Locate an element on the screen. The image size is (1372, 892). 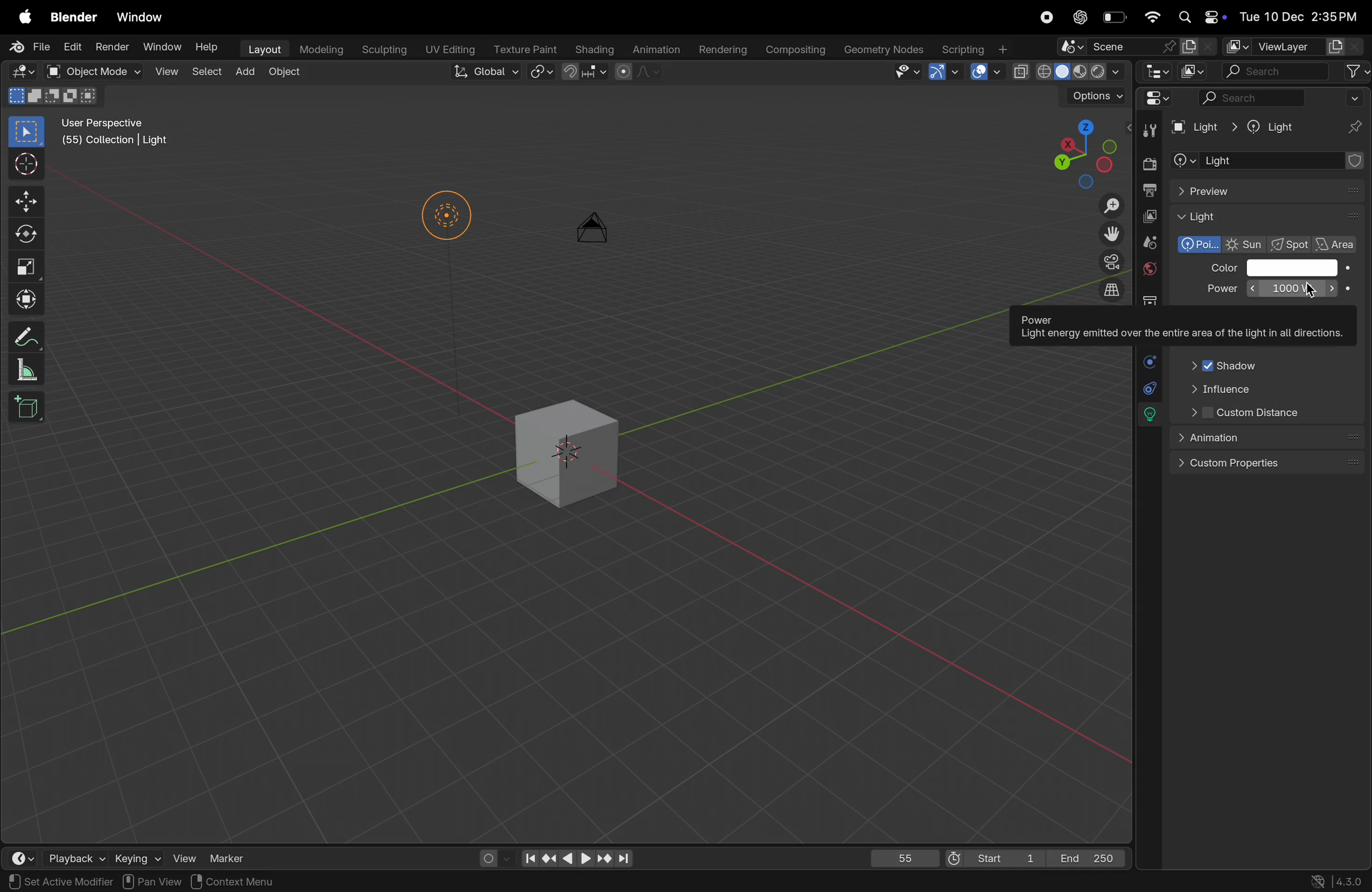
filter is located at coordinates (1356, 71).